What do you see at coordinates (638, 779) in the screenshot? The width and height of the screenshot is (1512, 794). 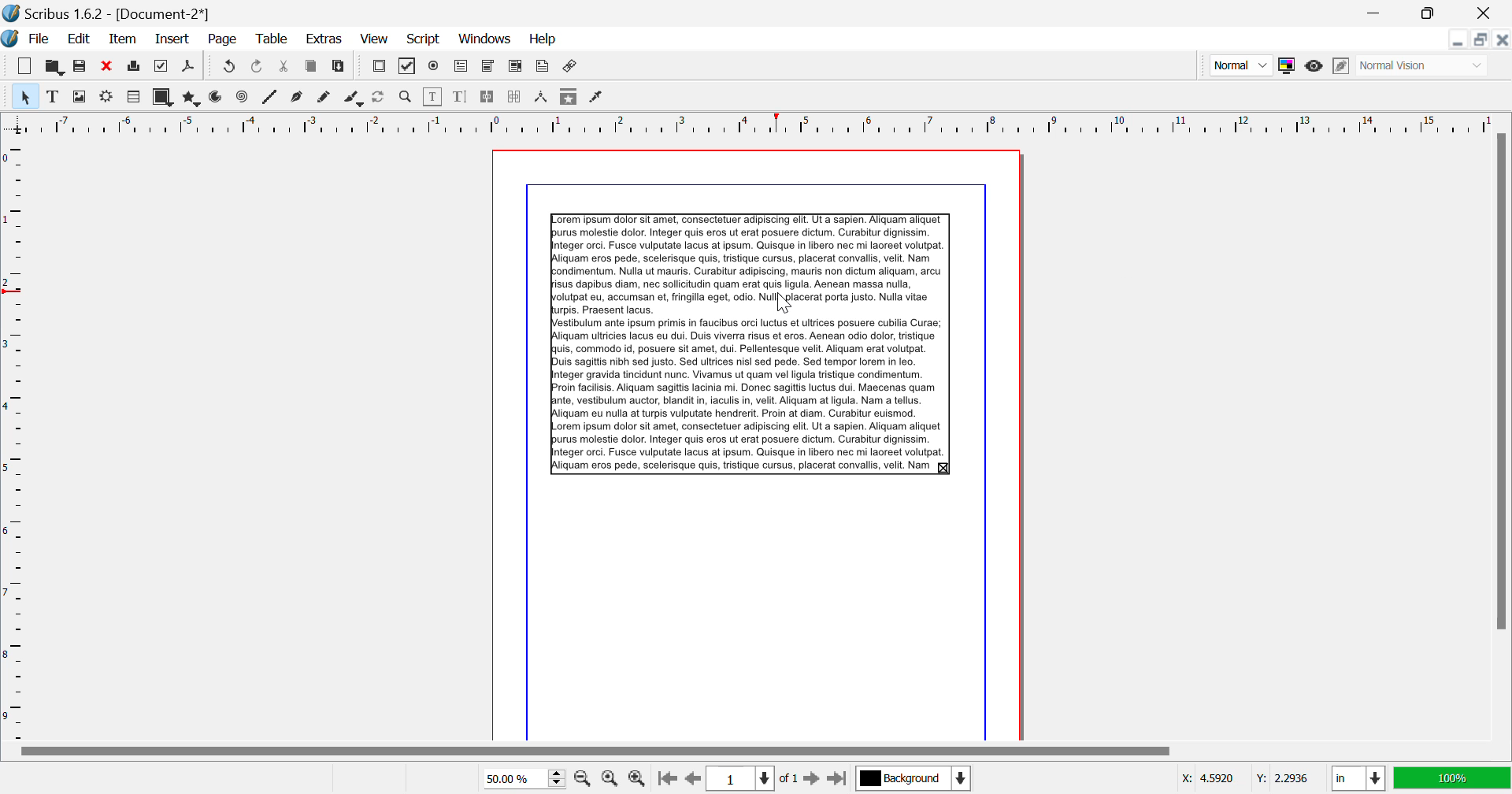 I see `Zoom In` at bounding box center [638, 779].